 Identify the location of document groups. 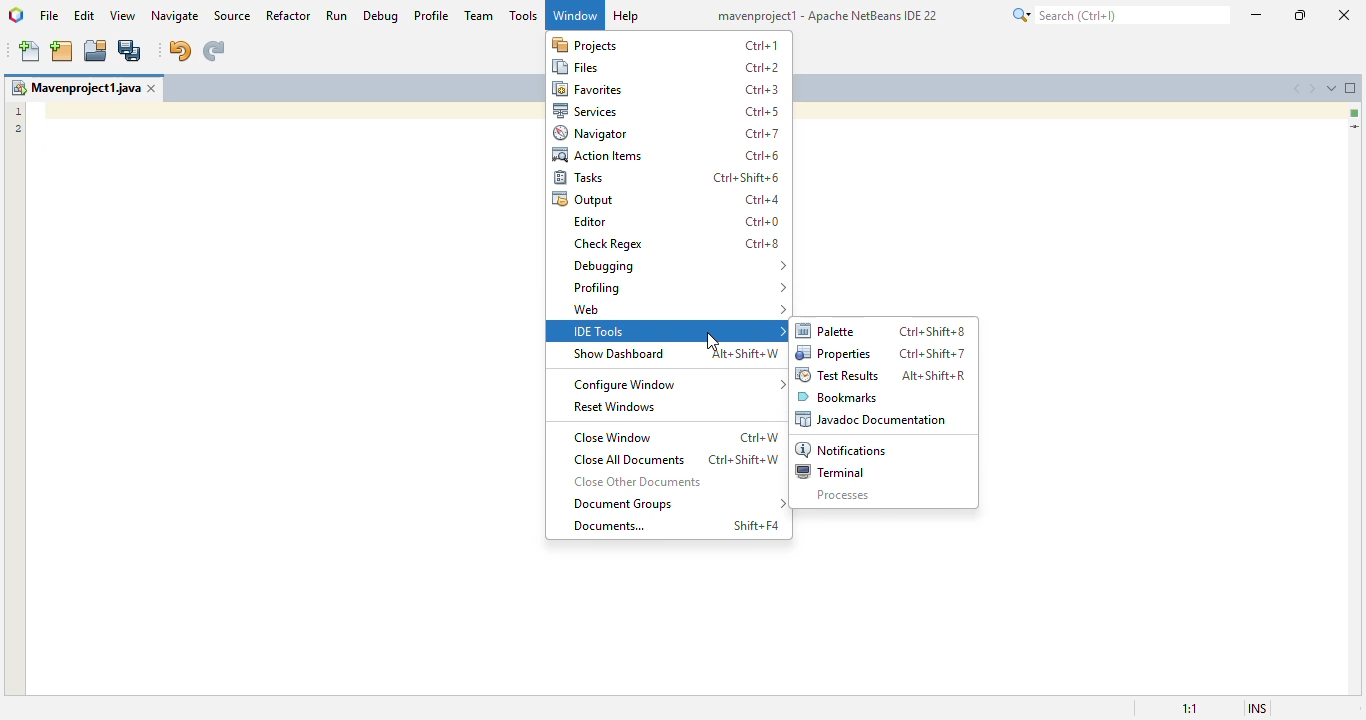
(680, 504).